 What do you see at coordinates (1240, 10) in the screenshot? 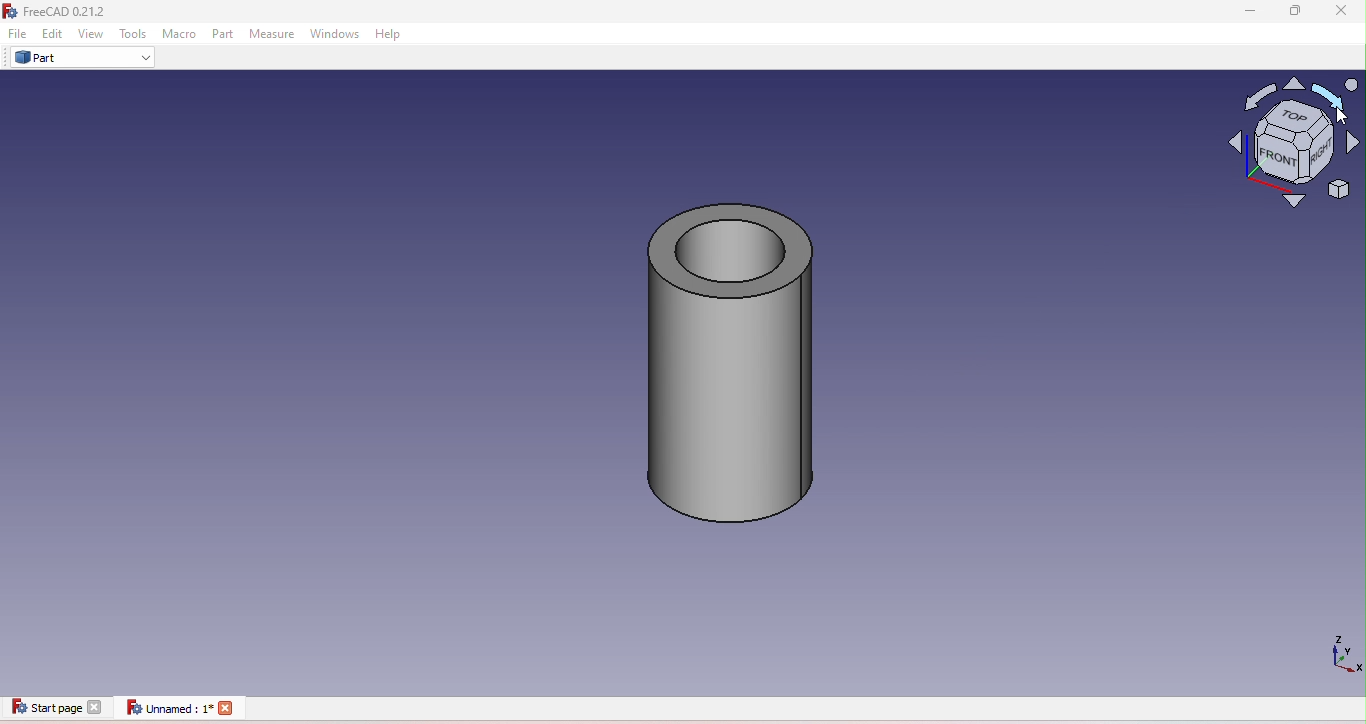
I see `Minimize` at bounding box center [1240, 10].